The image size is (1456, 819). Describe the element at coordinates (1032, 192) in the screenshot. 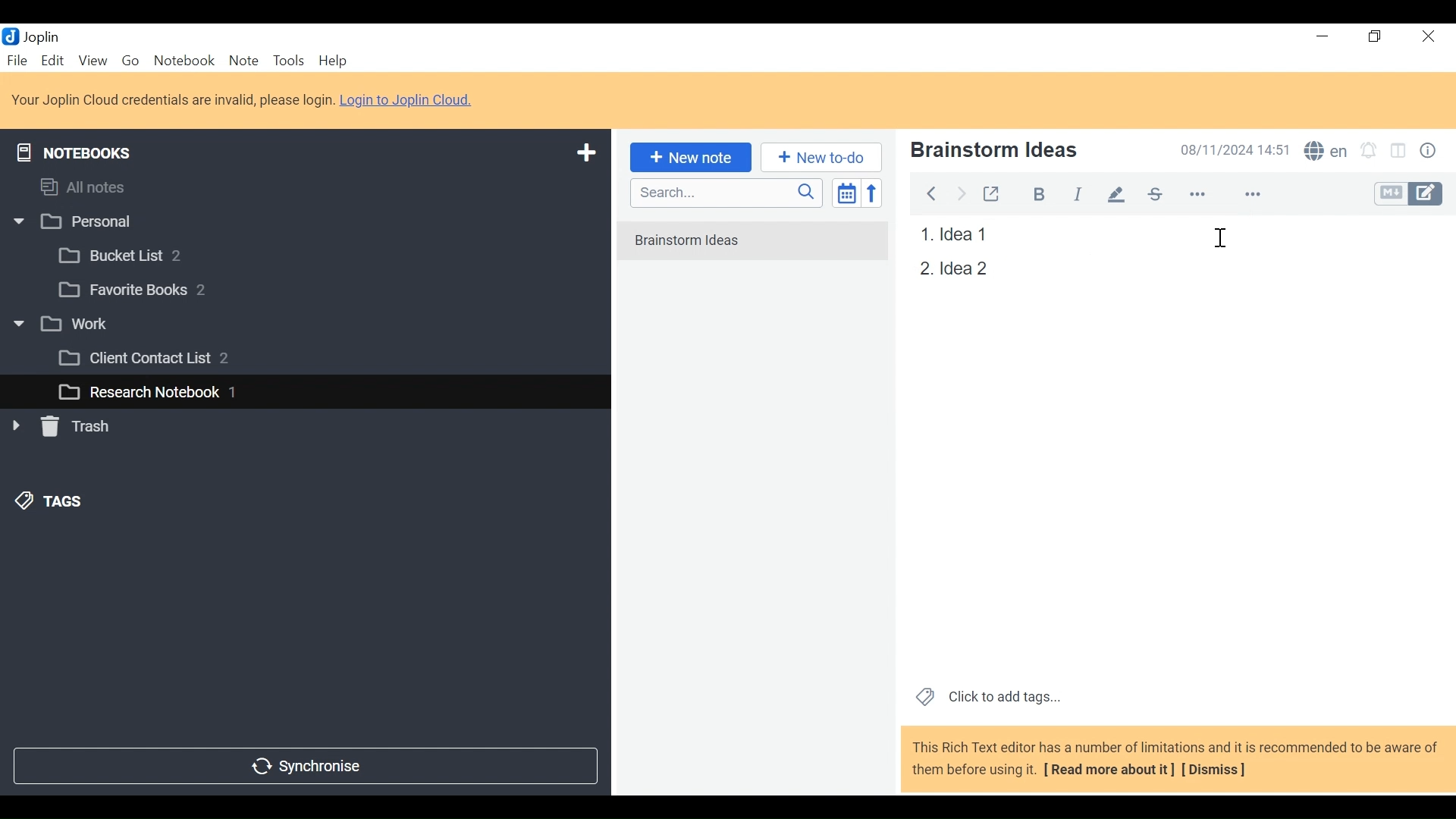

I see `Bold` at that location.